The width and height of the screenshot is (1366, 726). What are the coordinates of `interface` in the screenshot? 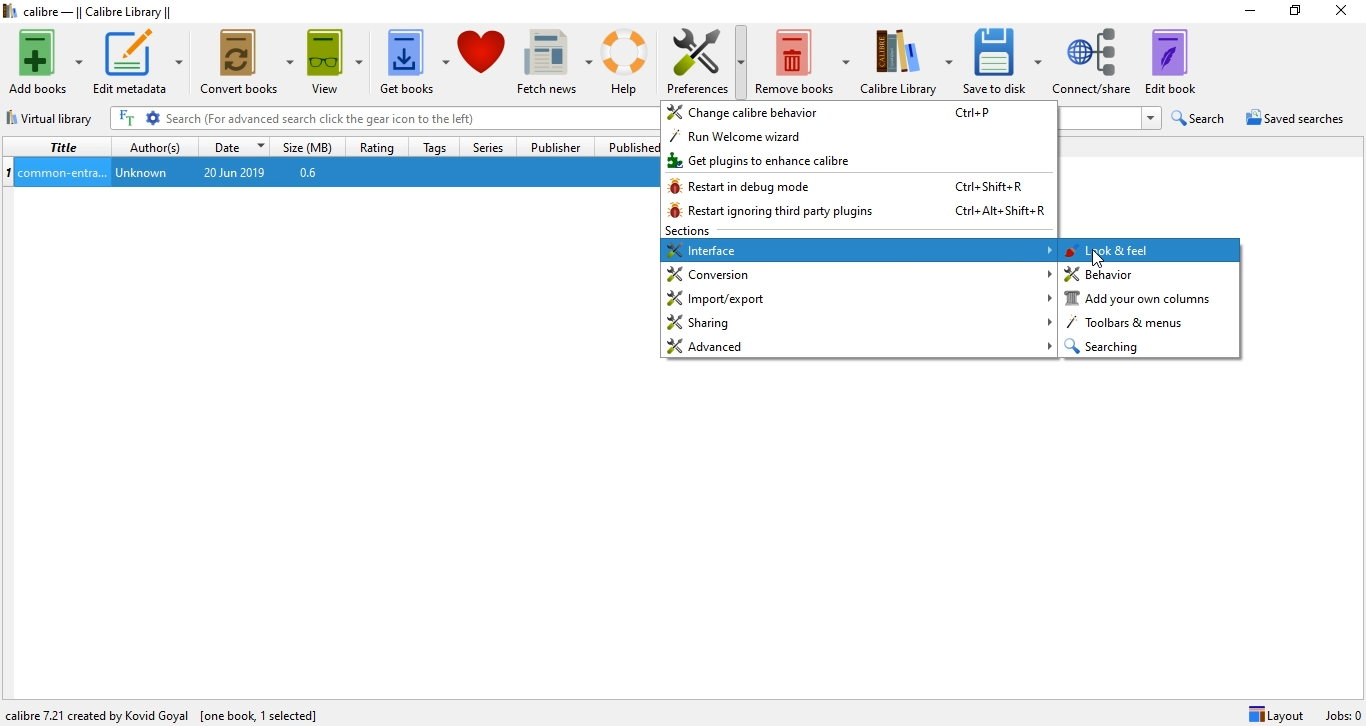 It's located at (859, 250).